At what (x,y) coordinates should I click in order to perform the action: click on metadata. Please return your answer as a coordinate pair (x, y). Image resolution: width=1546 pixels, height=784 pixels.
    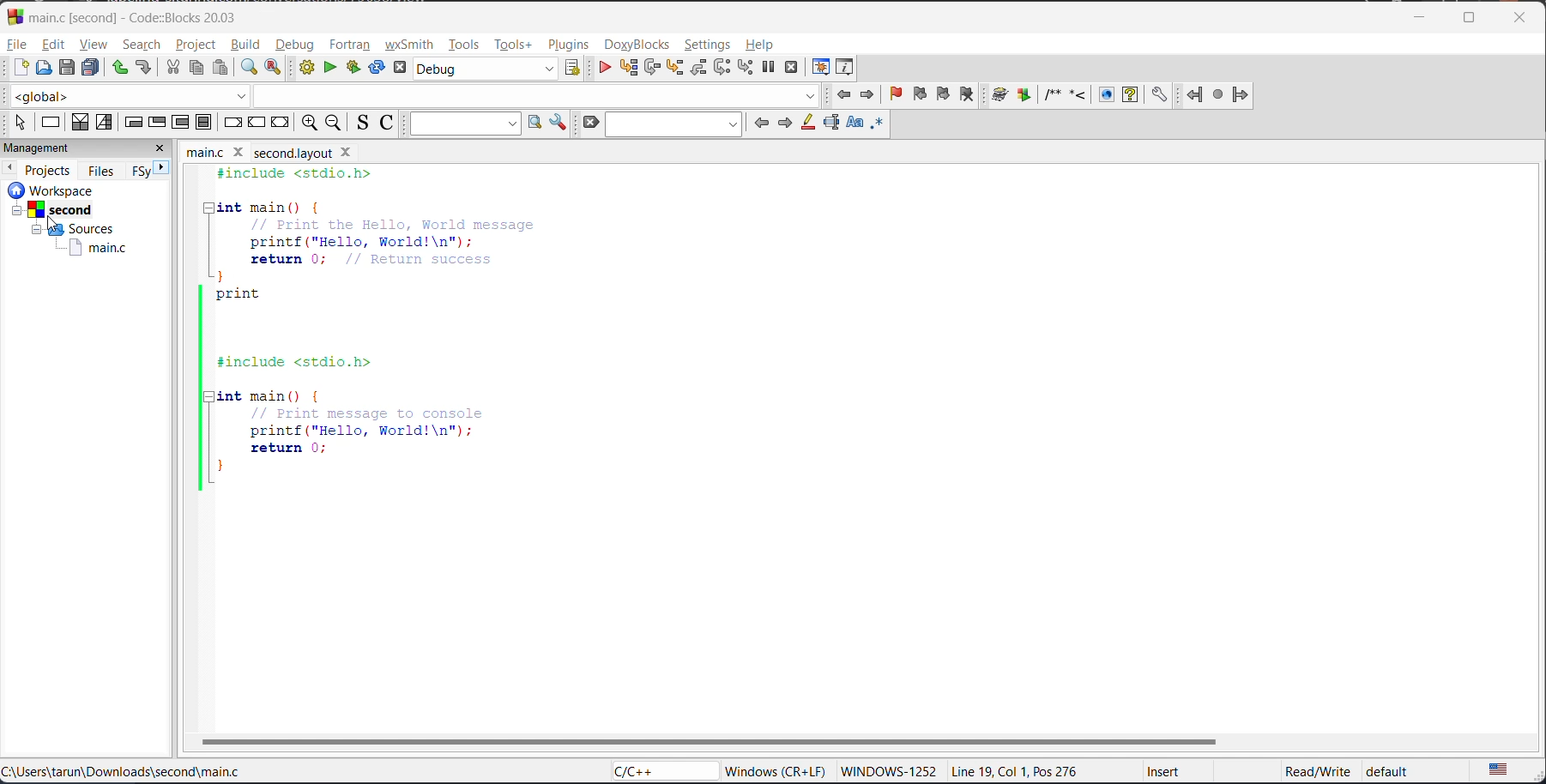
    Looking at the image, I should click on (1070, 772).